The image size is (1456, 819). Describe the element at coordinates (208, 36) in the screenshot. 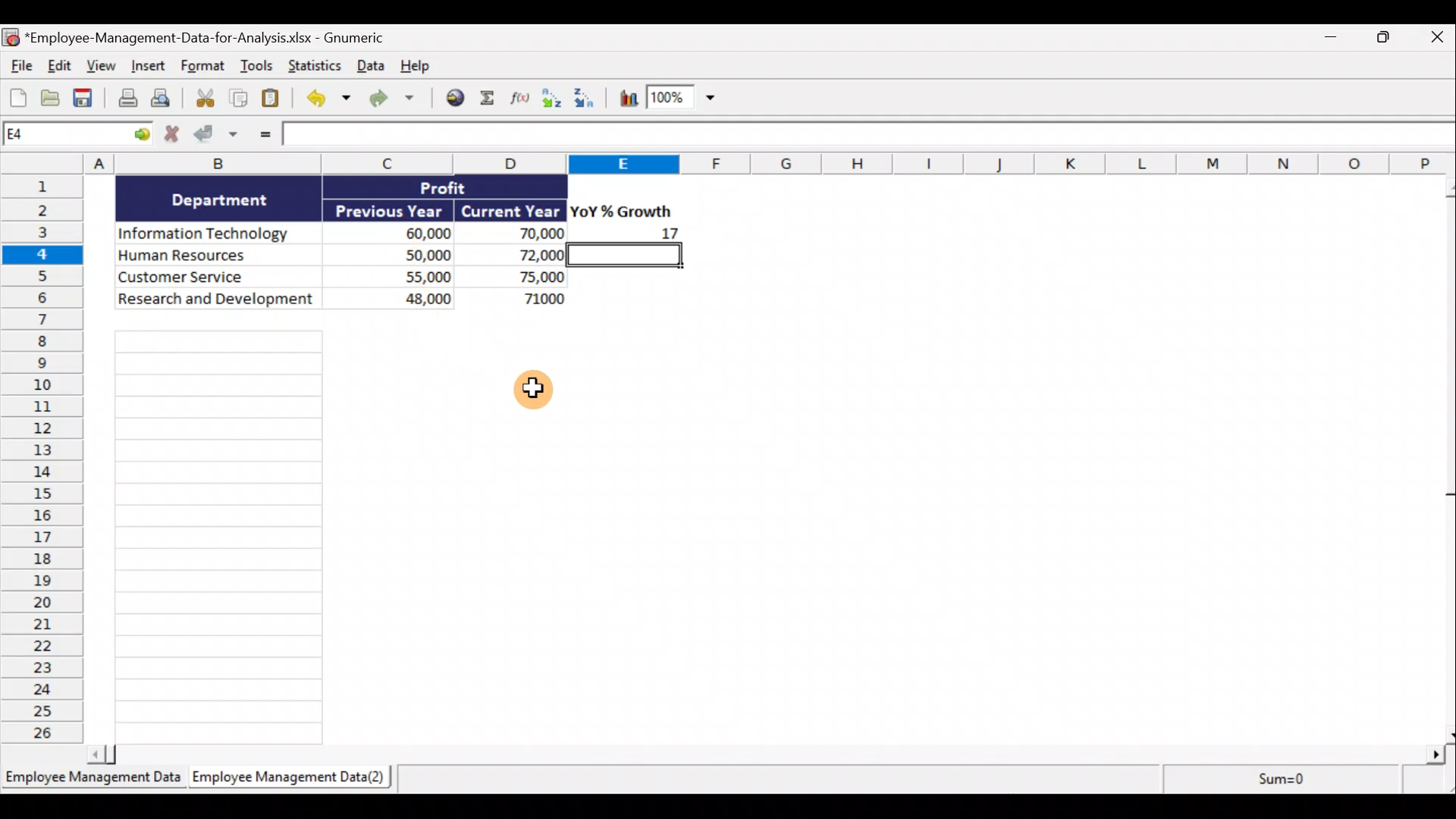

I see `Document name` at that location.